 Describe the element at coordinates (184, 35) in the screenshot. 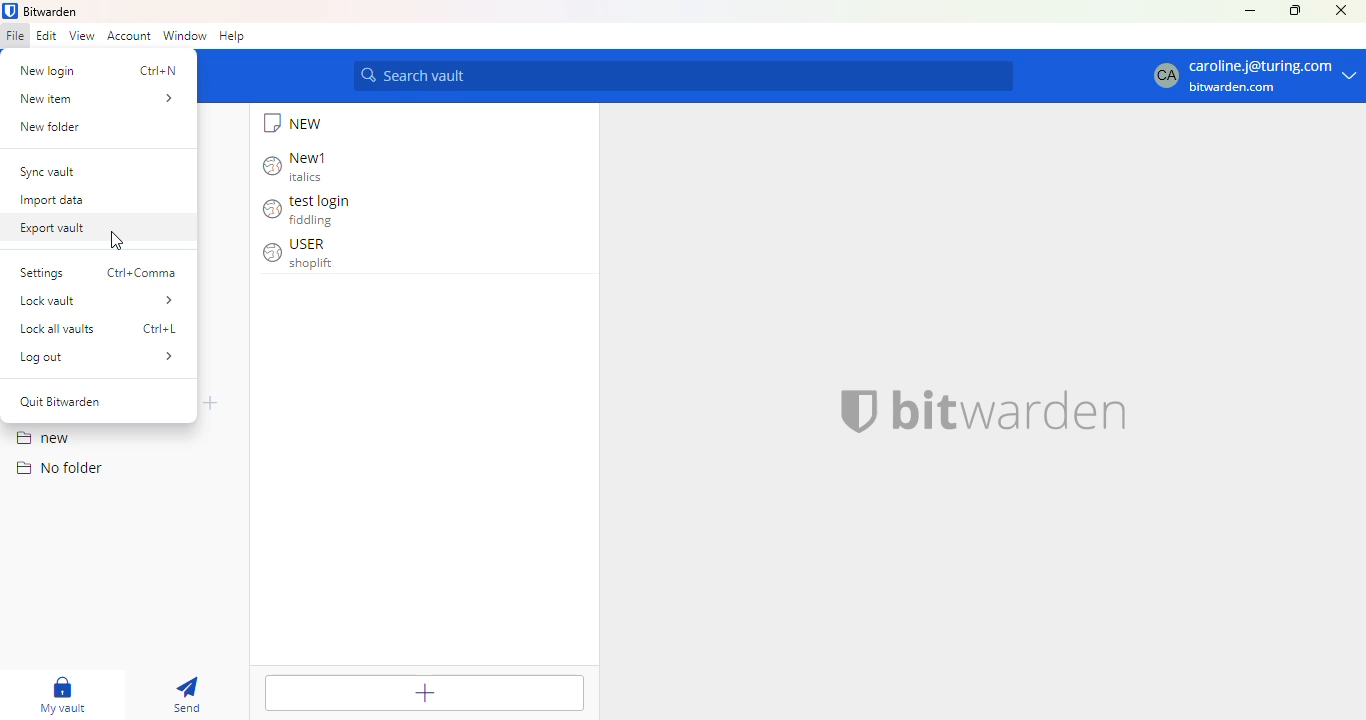

I see `window` at that location.